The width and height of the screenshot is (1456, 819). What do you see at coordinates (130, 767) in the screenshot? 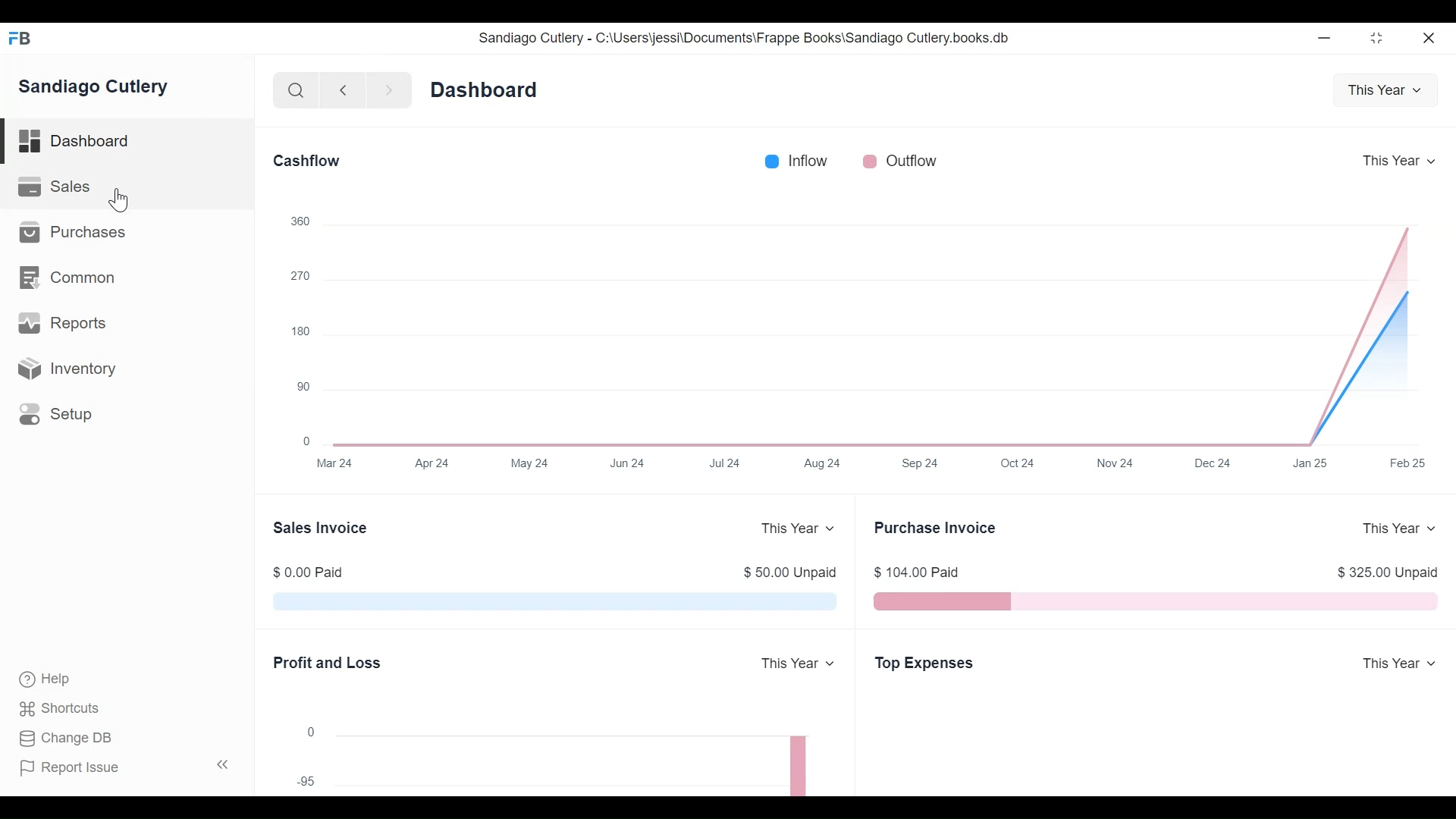
I see `Report Issue` at bounding box center [130, 767].